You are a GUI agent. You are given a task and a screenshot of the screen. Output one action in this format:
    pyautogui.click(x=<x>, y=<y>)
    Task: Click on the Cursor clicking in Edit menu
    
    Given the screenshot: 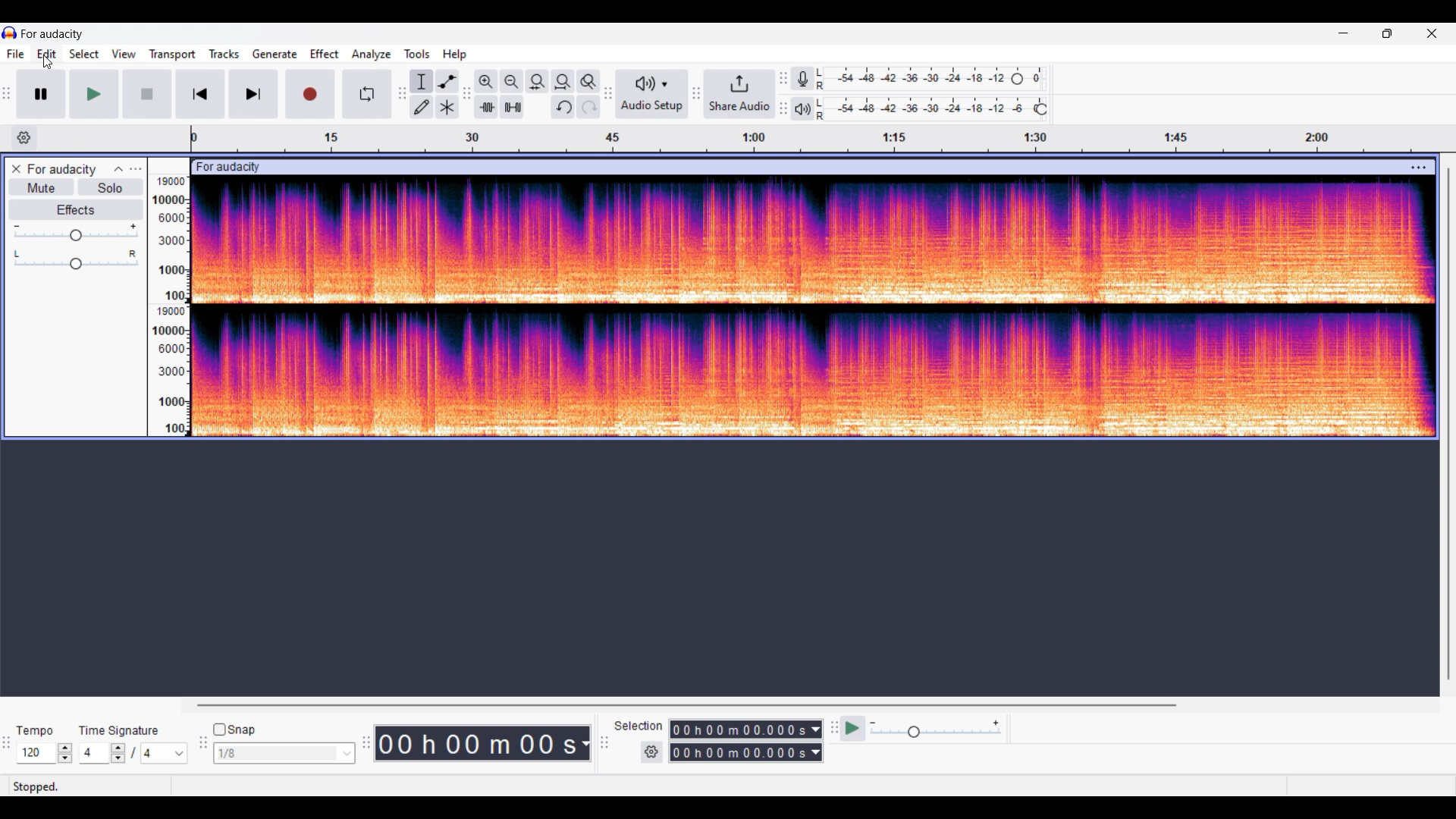 What is the action you would take?
    pyautogui.click(x=47, y=62)
    